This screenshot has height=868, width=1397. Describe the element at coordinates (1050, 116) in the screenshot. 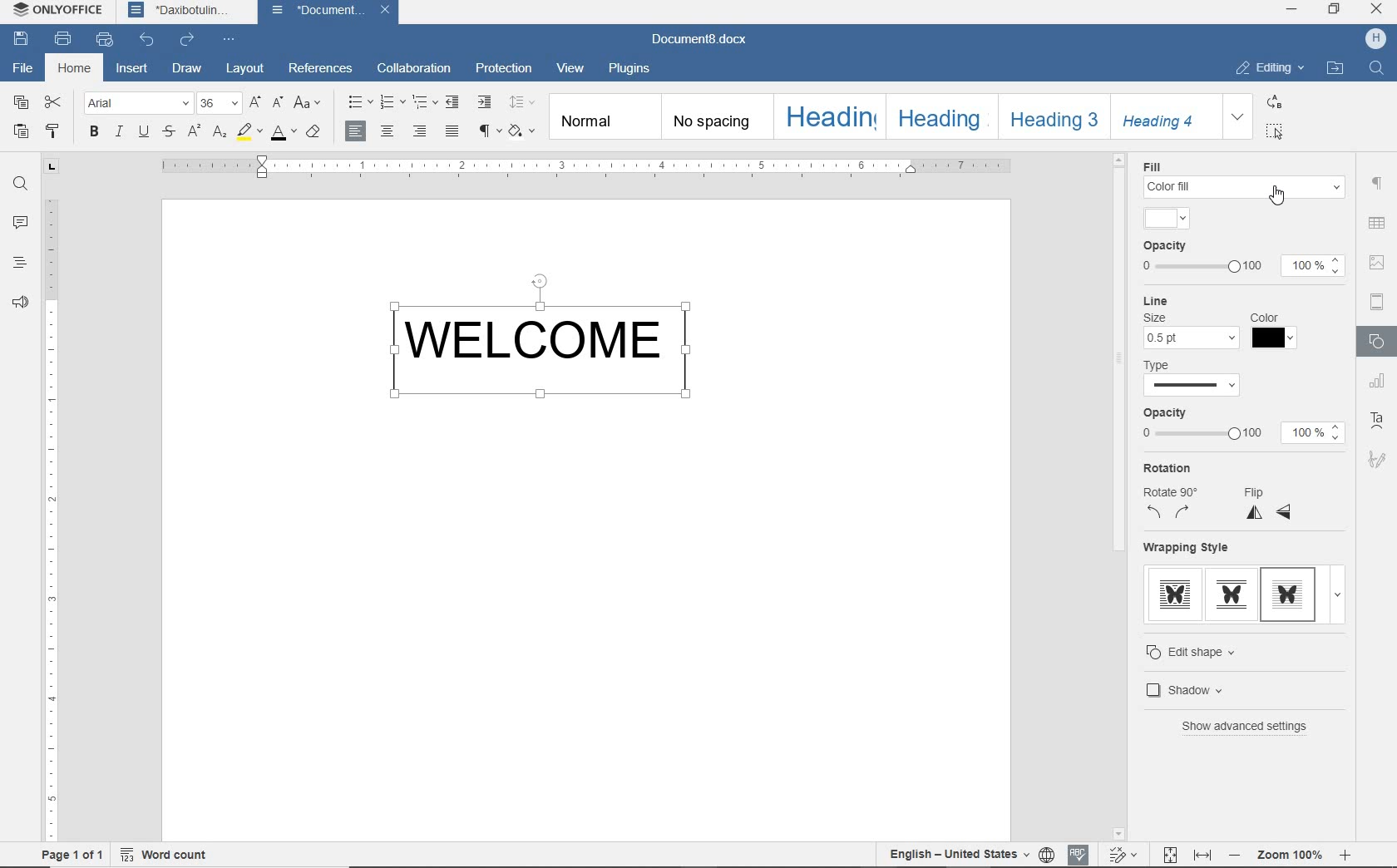

I see `HEADING 3` at that location.